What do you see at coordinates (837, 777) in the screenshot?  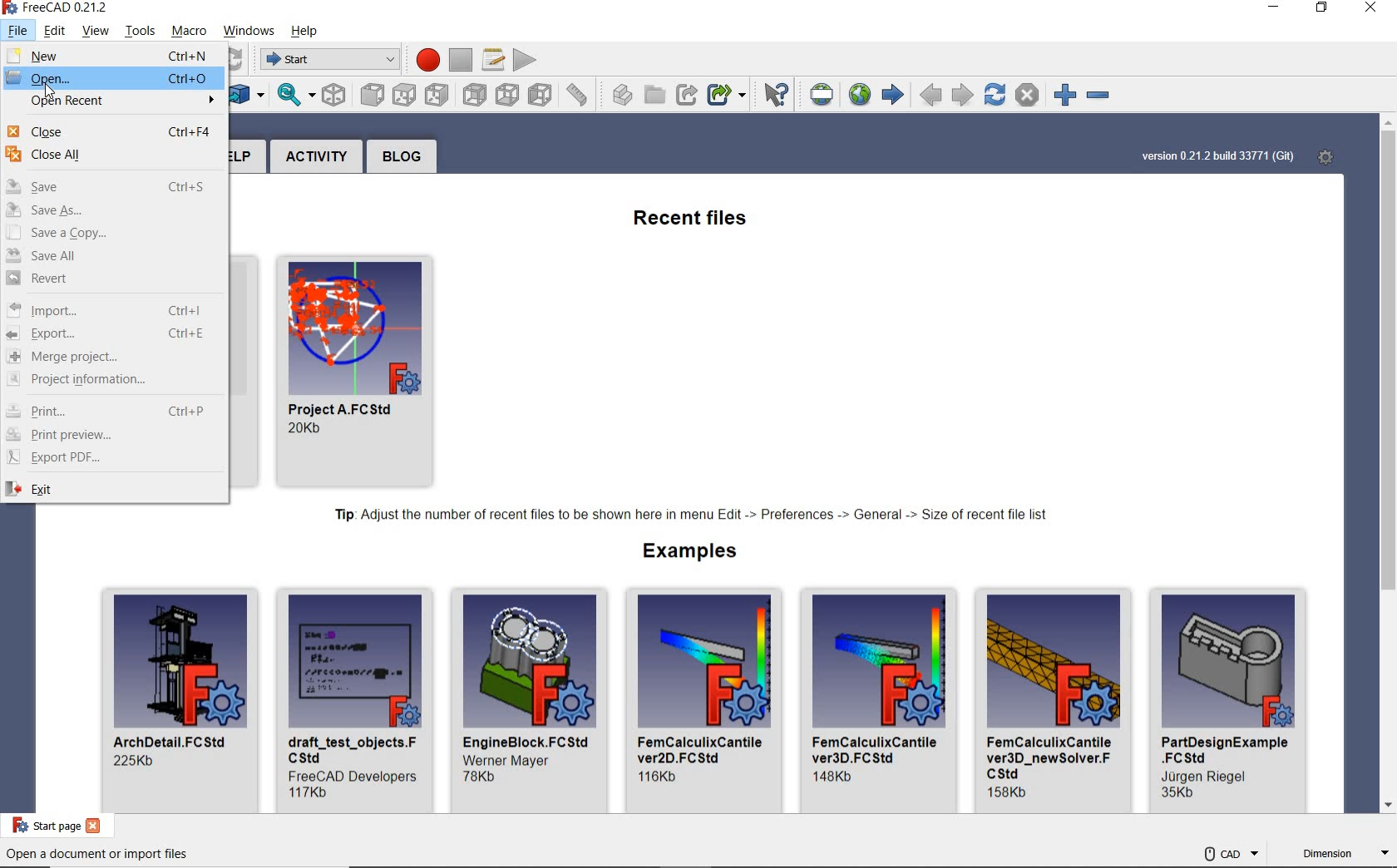 I see `size` at bounding box center [837, 777].